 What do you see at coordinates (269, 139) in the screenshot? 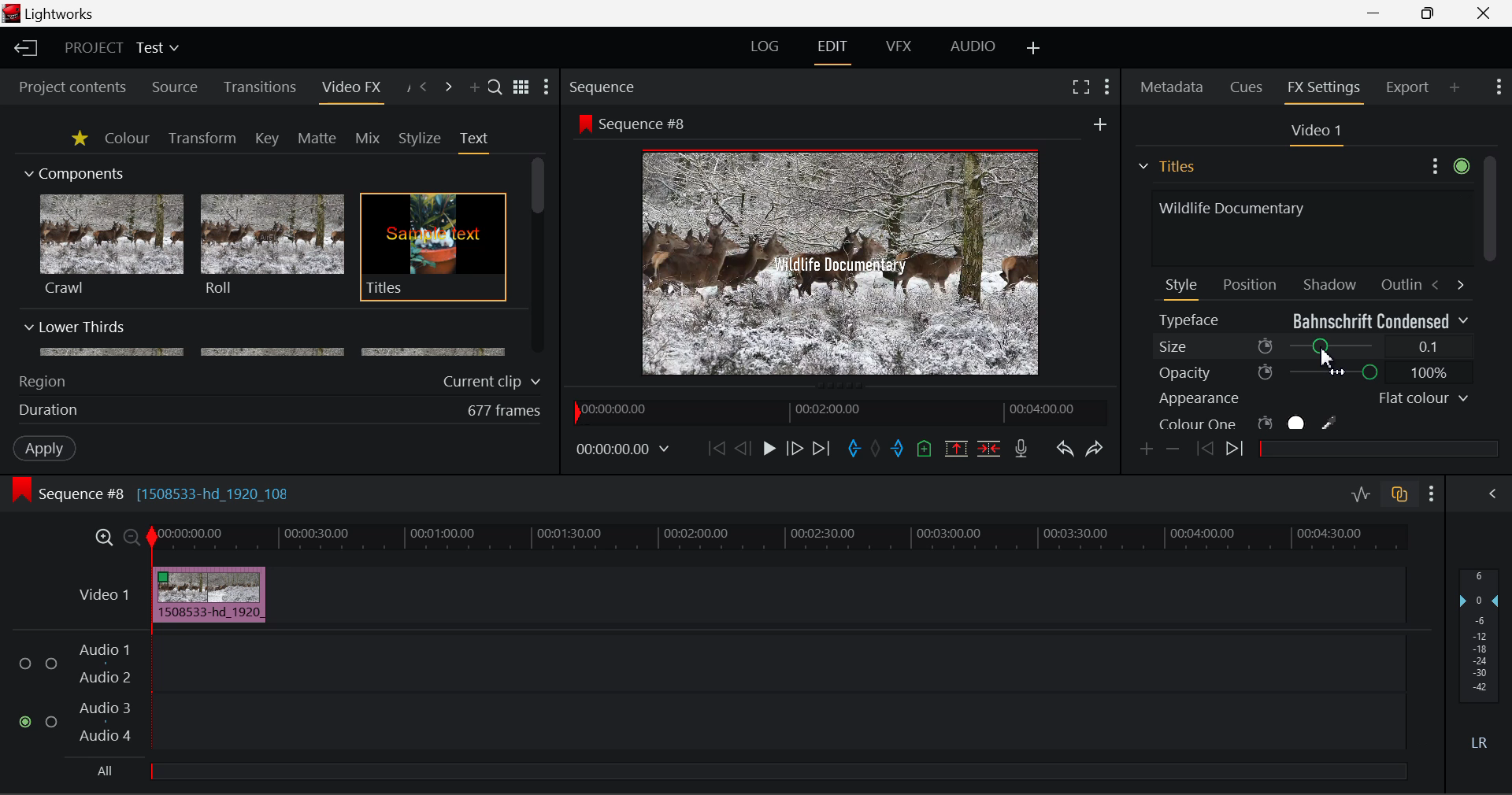
I see `Key` at bounding box center [269, 139].